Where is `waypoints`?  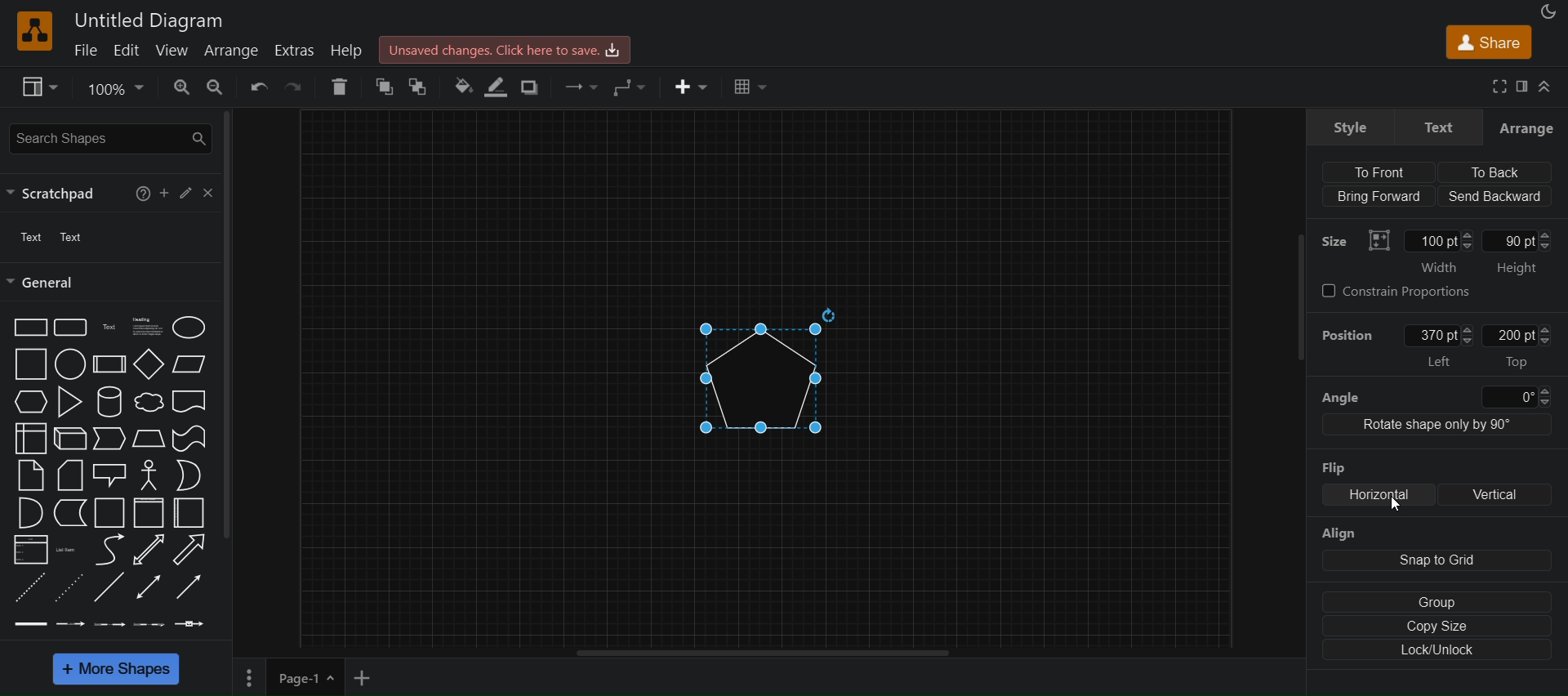 waypoints is located at coordinates (632, 88).